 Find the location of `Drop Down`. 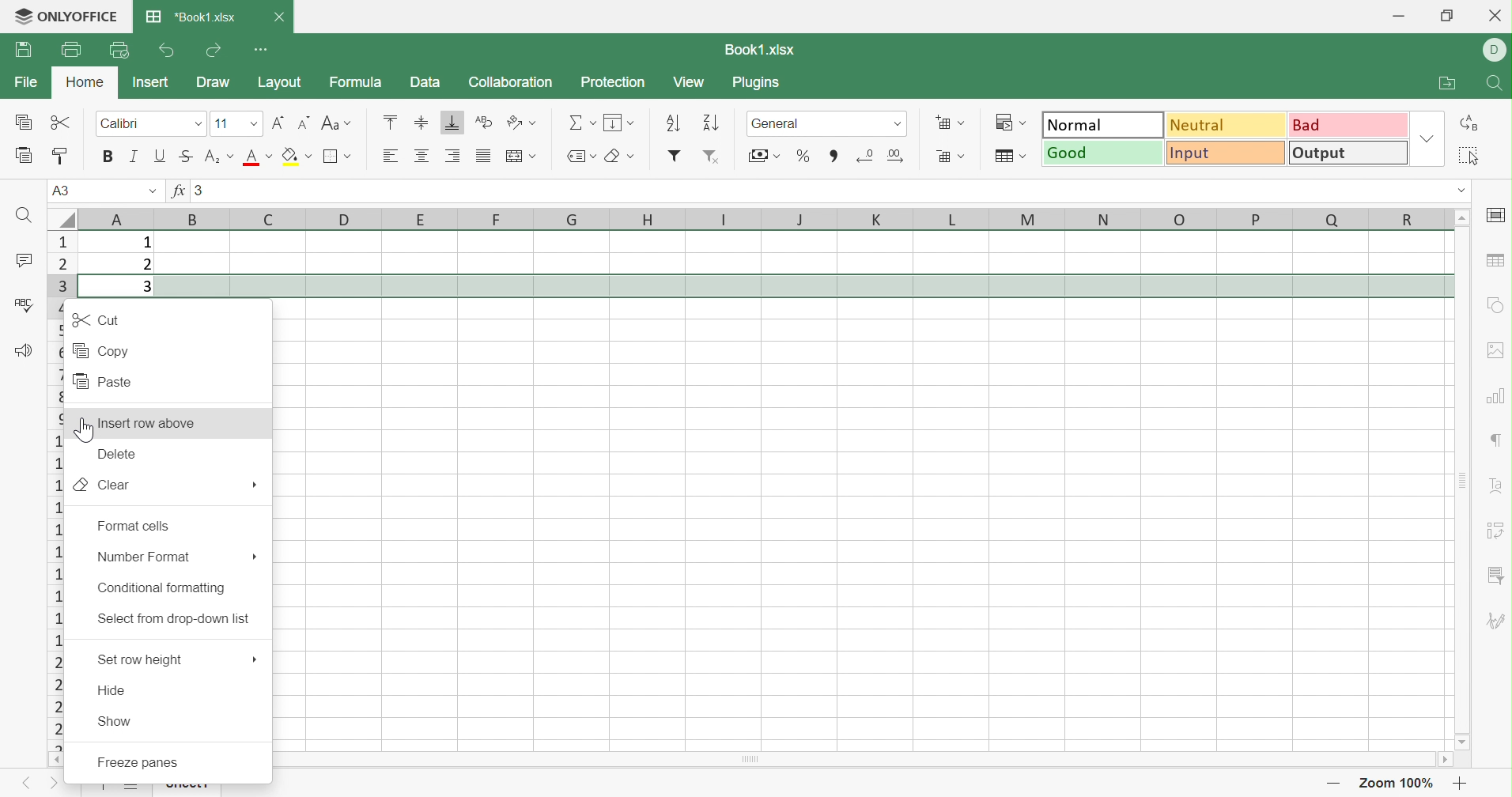

Drop Down is located at coordinates (631, 155).